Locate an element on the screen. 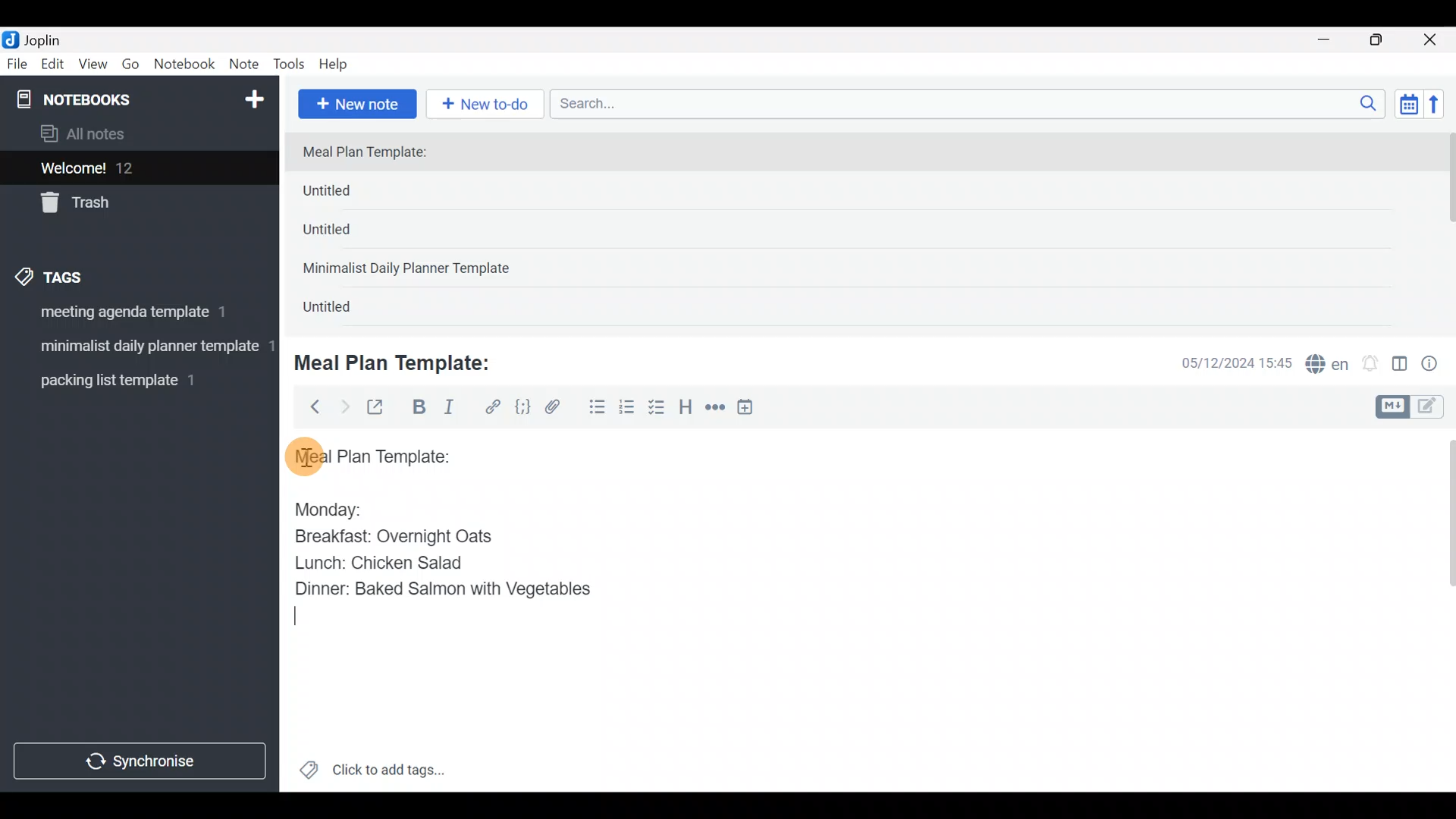 This screenshot has width=1456, height=819. Meal Plan Template: is located at coordinates (374, 153).